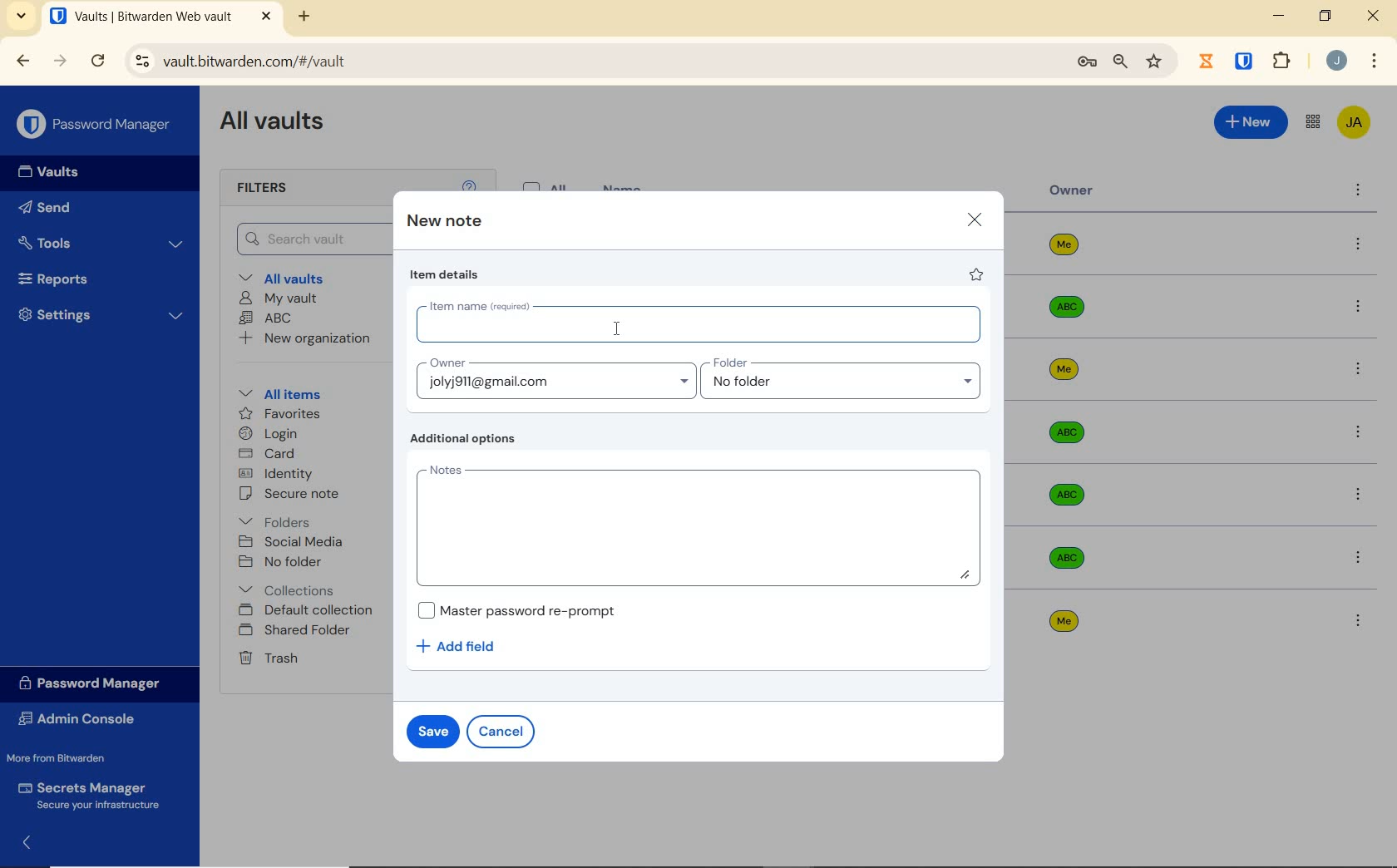 The height and width of the screenshot is (868, 1397). What do you see at coordinates (290, 587) in the screenshot?
I see `Collections` at bounding box center [290, 587].